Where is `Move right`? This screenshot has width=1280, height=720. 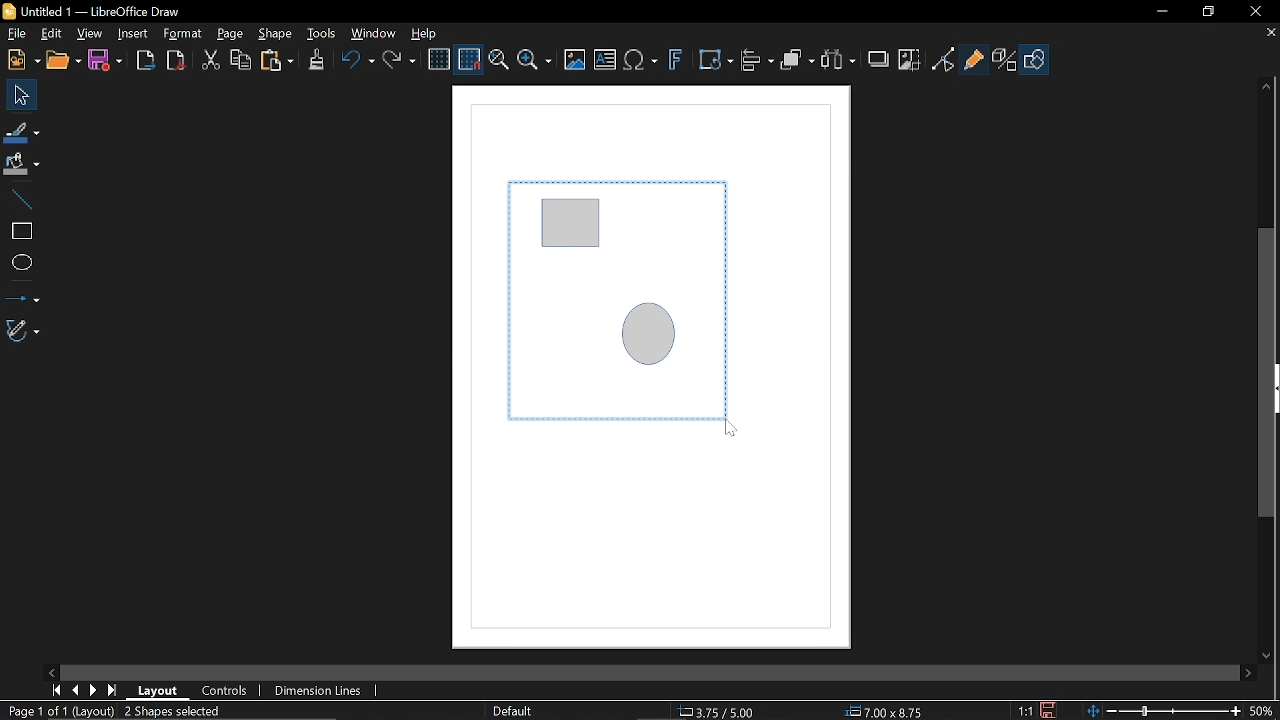 Move right is located at coordinates (1250, 674).